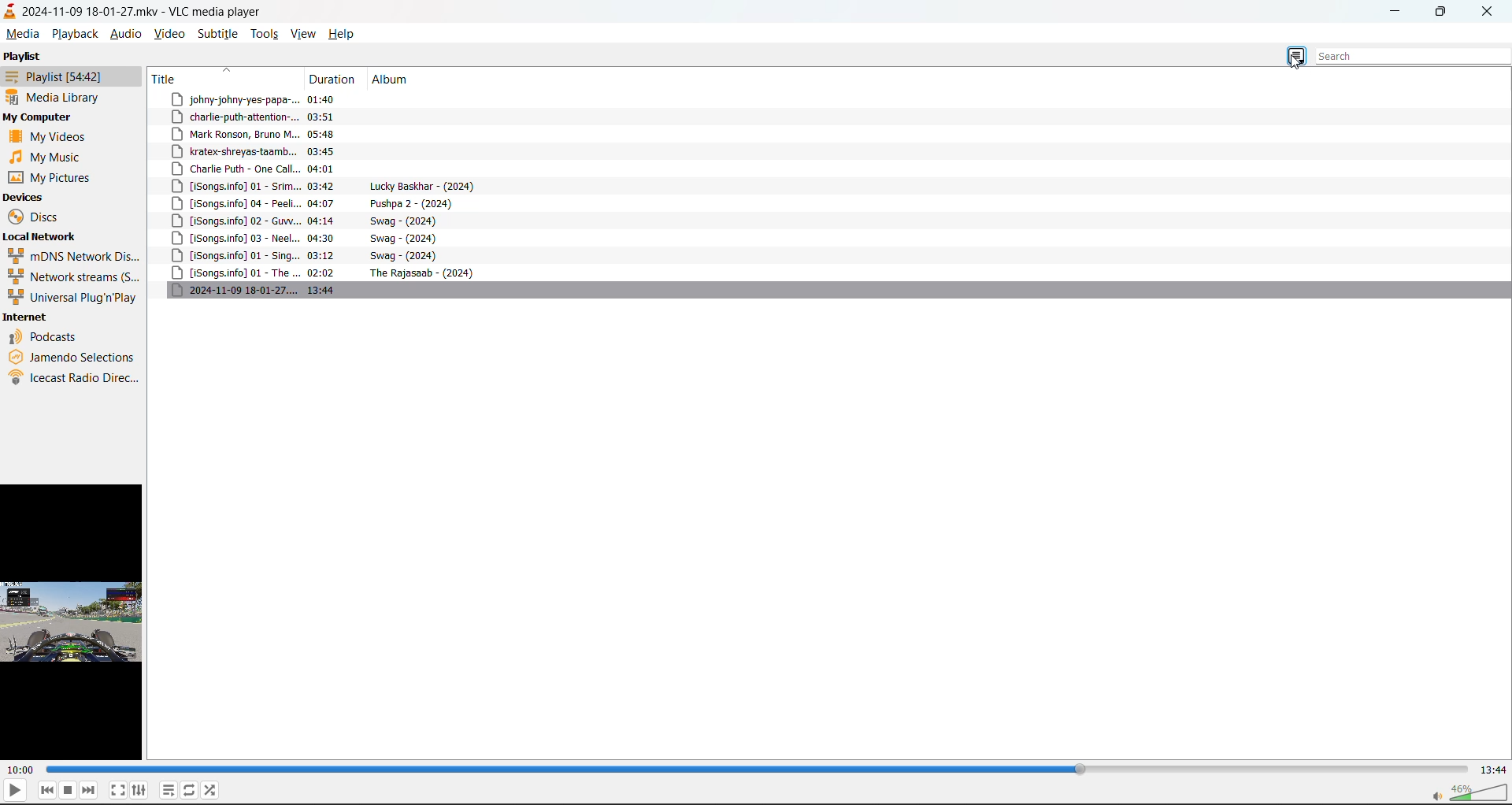 The height and width of the screenshot is (805, 1512). I want to click on previous, so click(45, 791).